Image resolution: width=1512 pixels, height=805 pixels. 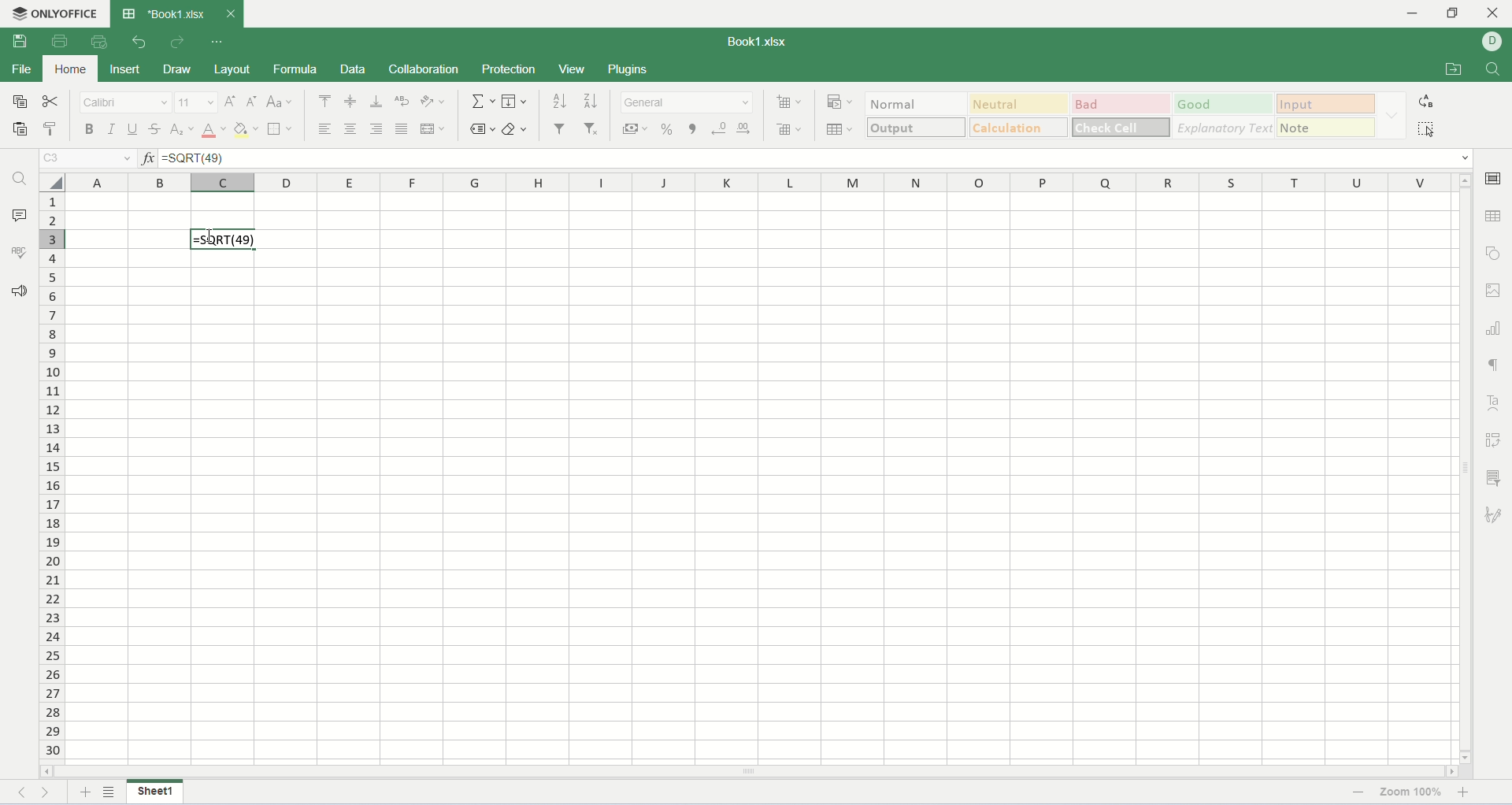 What do you see at coordinates (758, 40) in the screenshot?
I see `Book1.xlsx` at bounding box center [758, 40].